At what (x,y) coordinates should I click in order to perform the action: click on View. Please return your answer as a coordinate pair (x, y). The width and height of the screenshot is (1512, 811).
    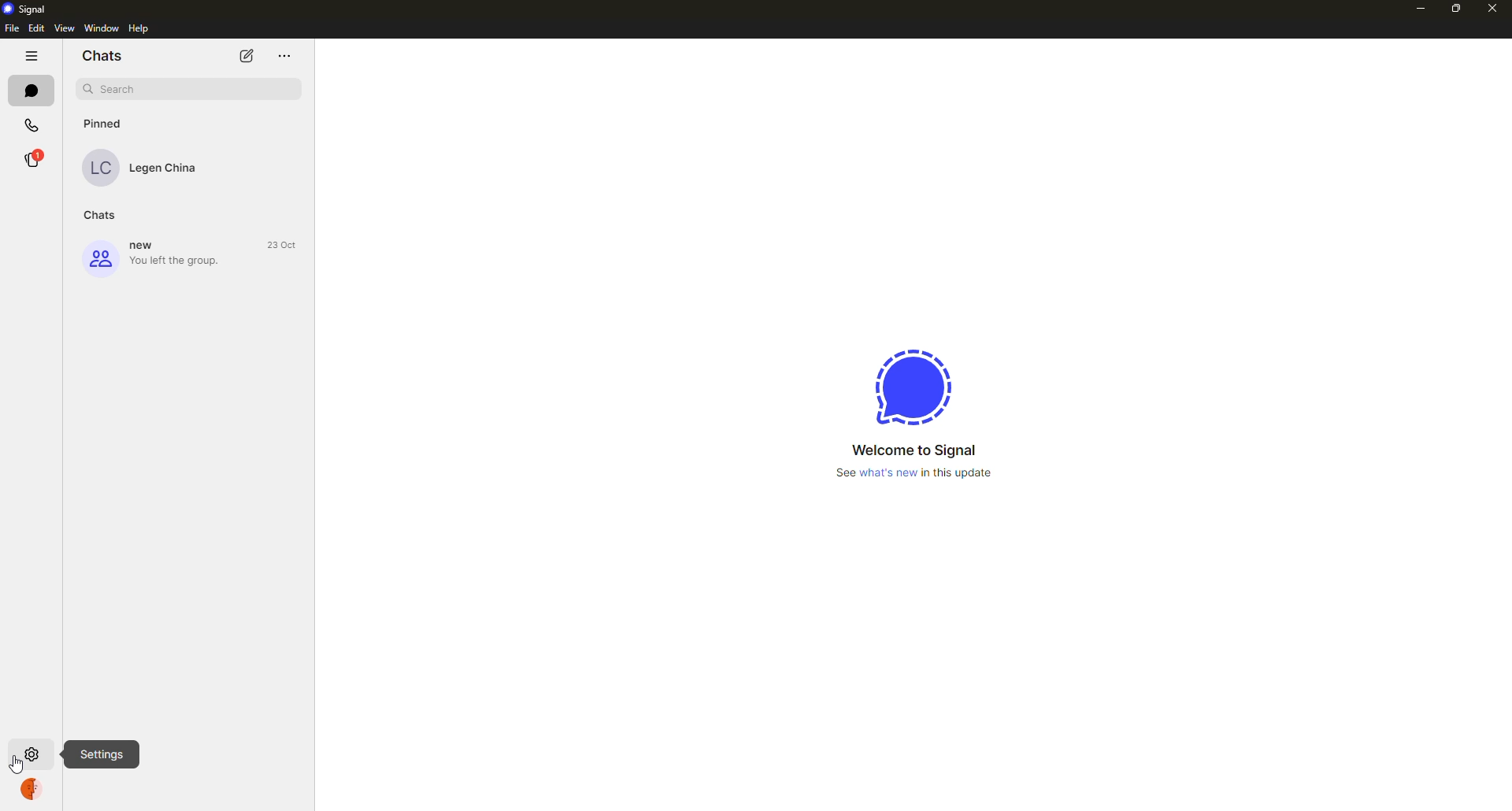
    Looking at the image, I should click on (64, 27).